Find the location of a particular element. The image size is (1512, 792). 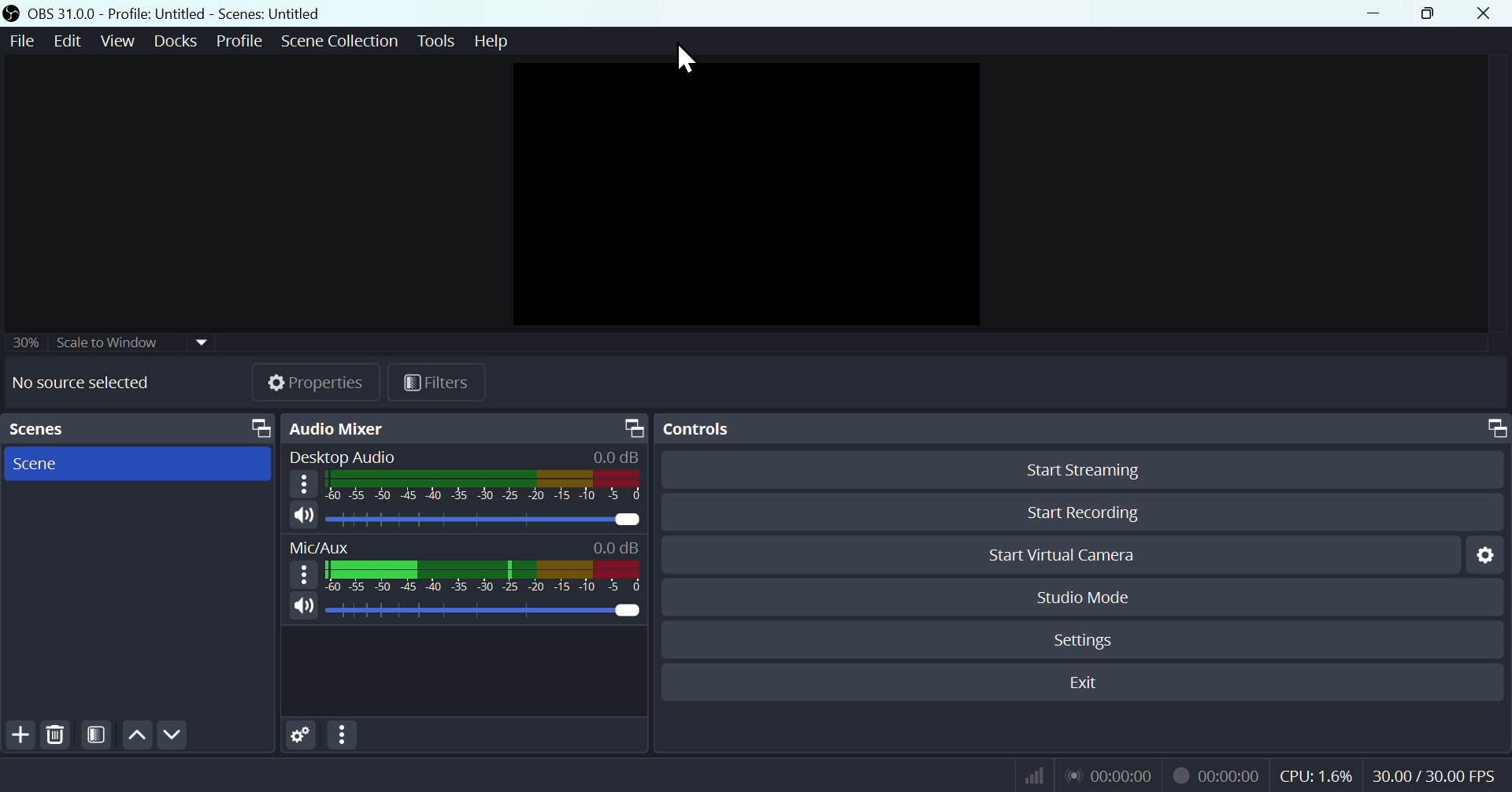

Studio mode is located at coordinates (1078, 598).